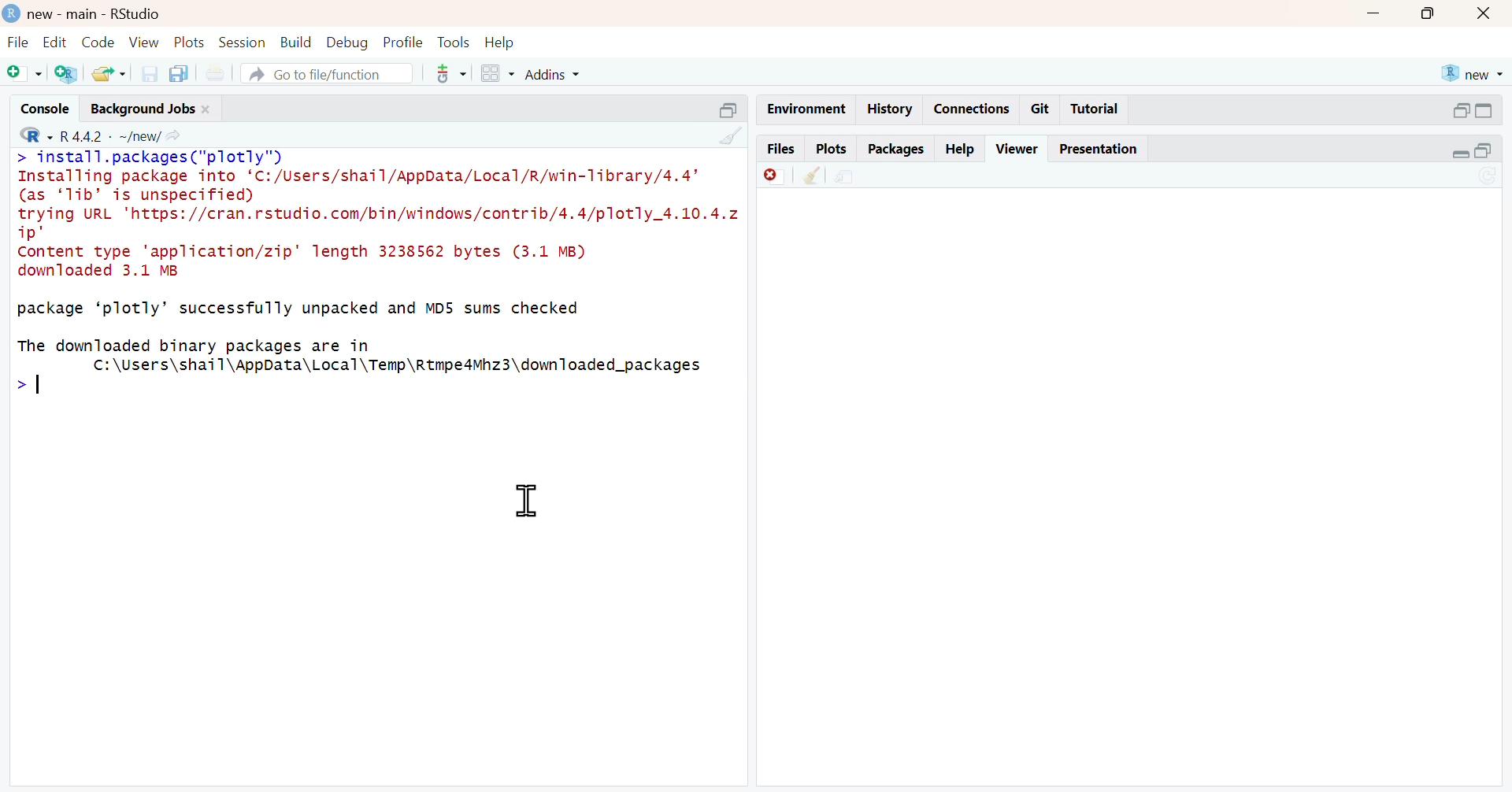  I want to click on addins, so click(558, 73).